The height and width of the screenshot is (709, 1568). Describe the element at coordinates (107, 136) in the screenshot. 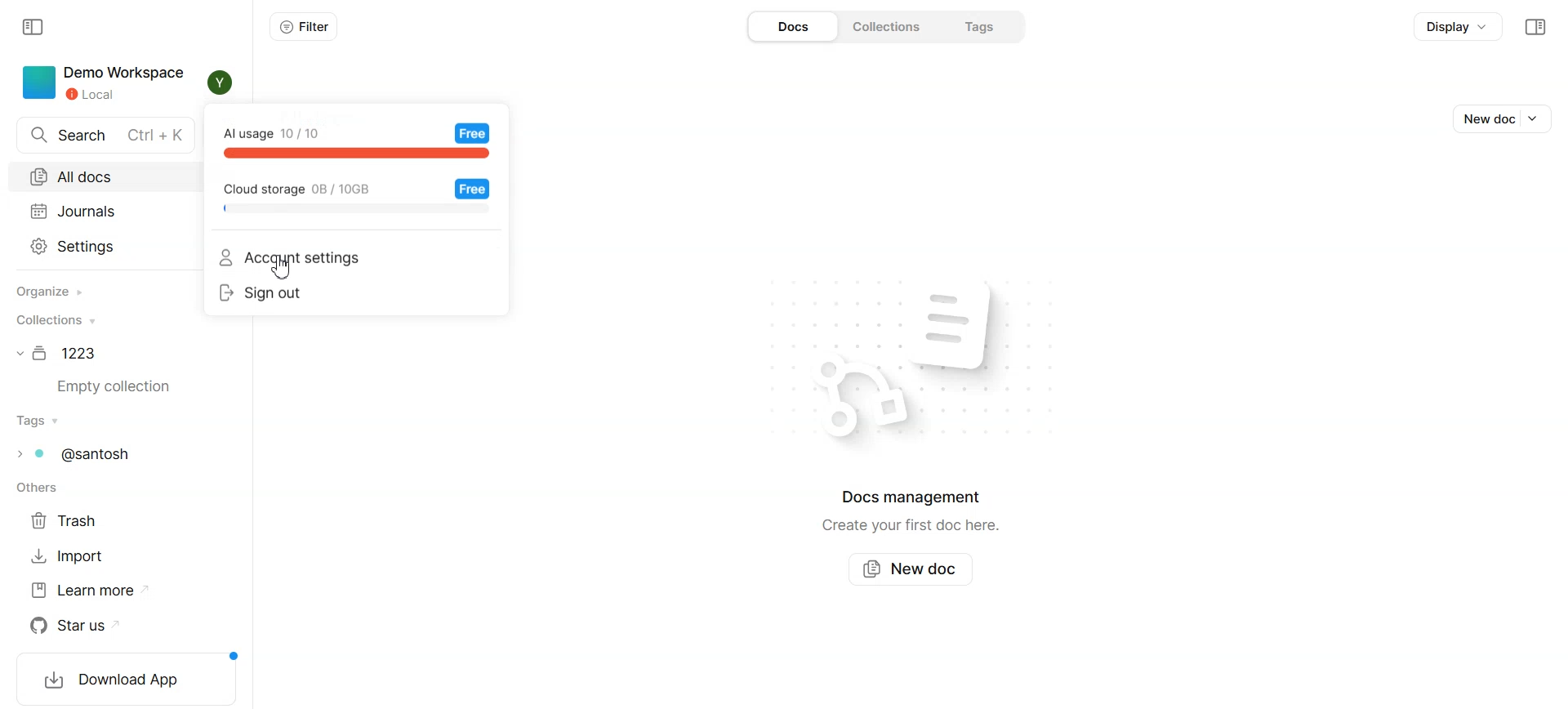

I see `Search doc` at that location.